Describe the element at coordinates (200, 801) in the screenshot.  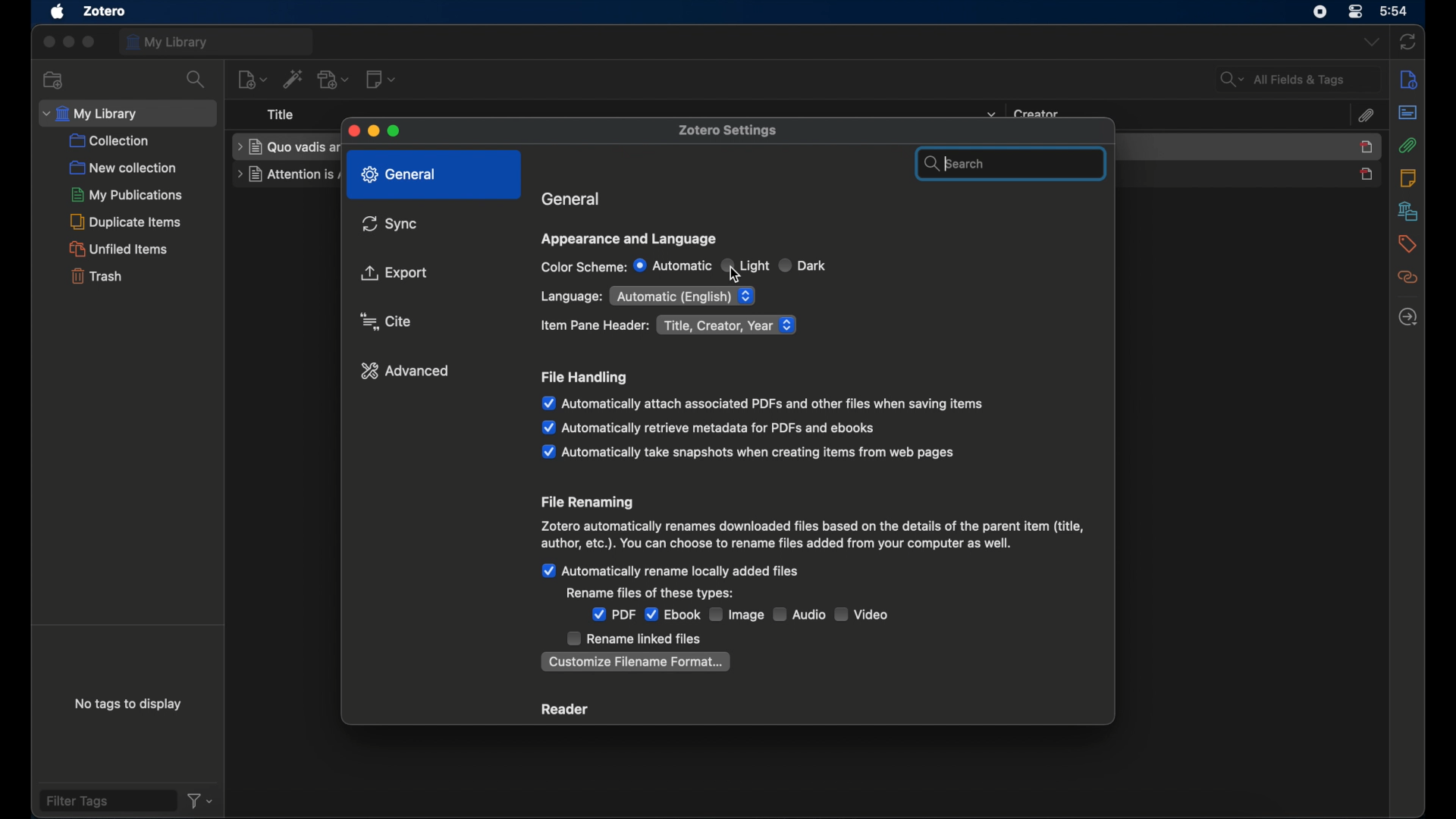
I see `filter dropdown menu` at that location.